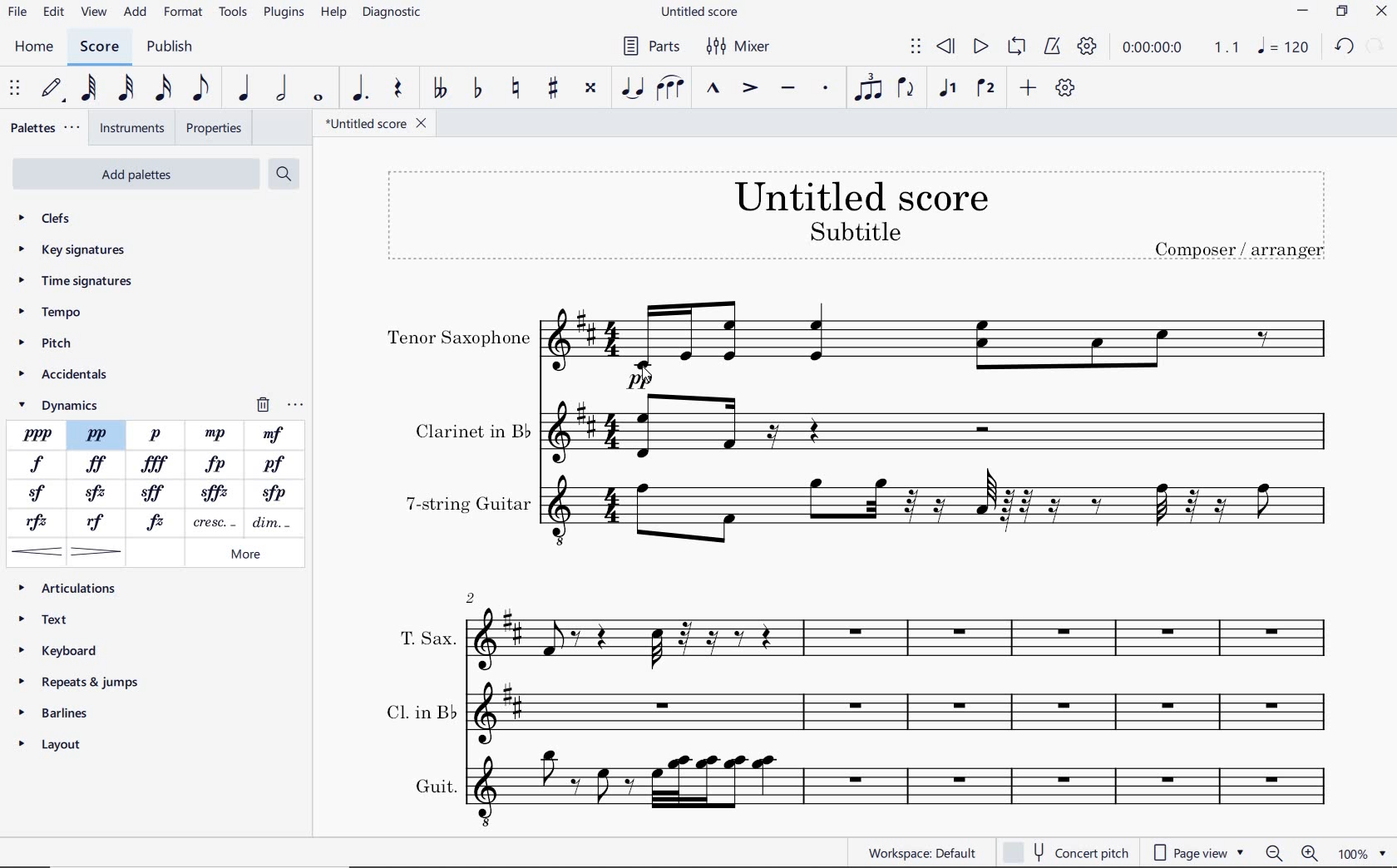 The image size is (1397, 868). Describe the element at coordinates (83, 683) in the screenshot. I see `REPEATS & JUMPS` at that location.